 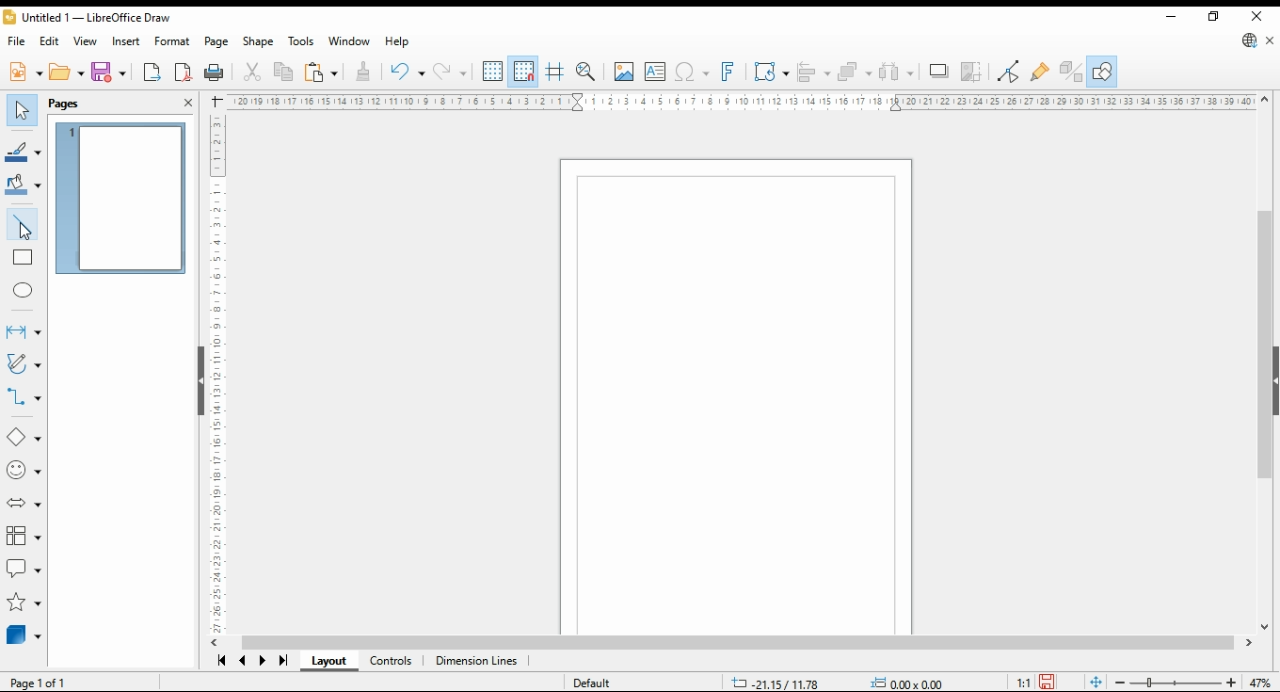 I want to click on show grids, so click(x=492, y=72).